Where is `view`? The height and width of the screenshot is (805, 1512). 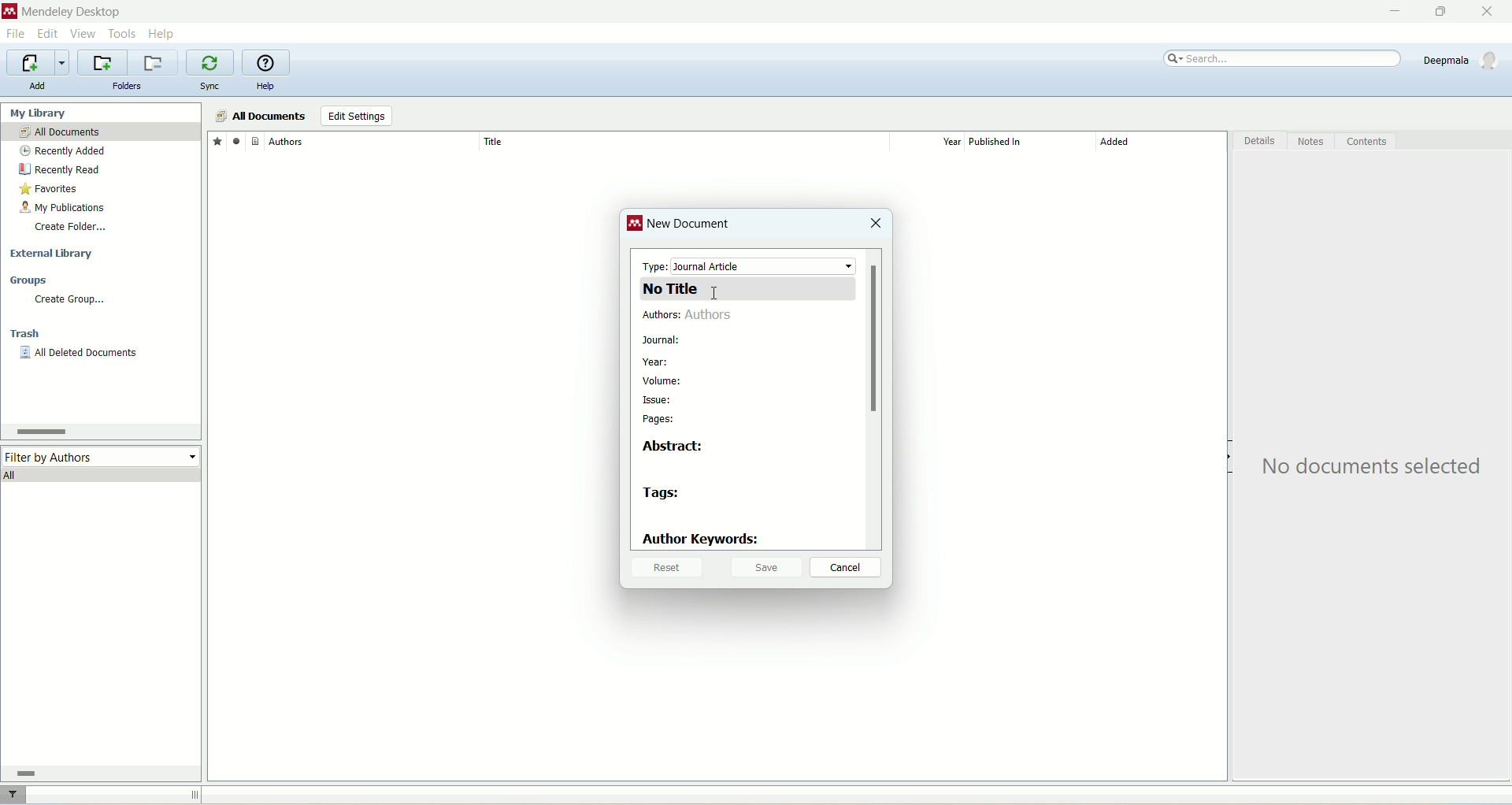
view is located at coordinates (84, 34).